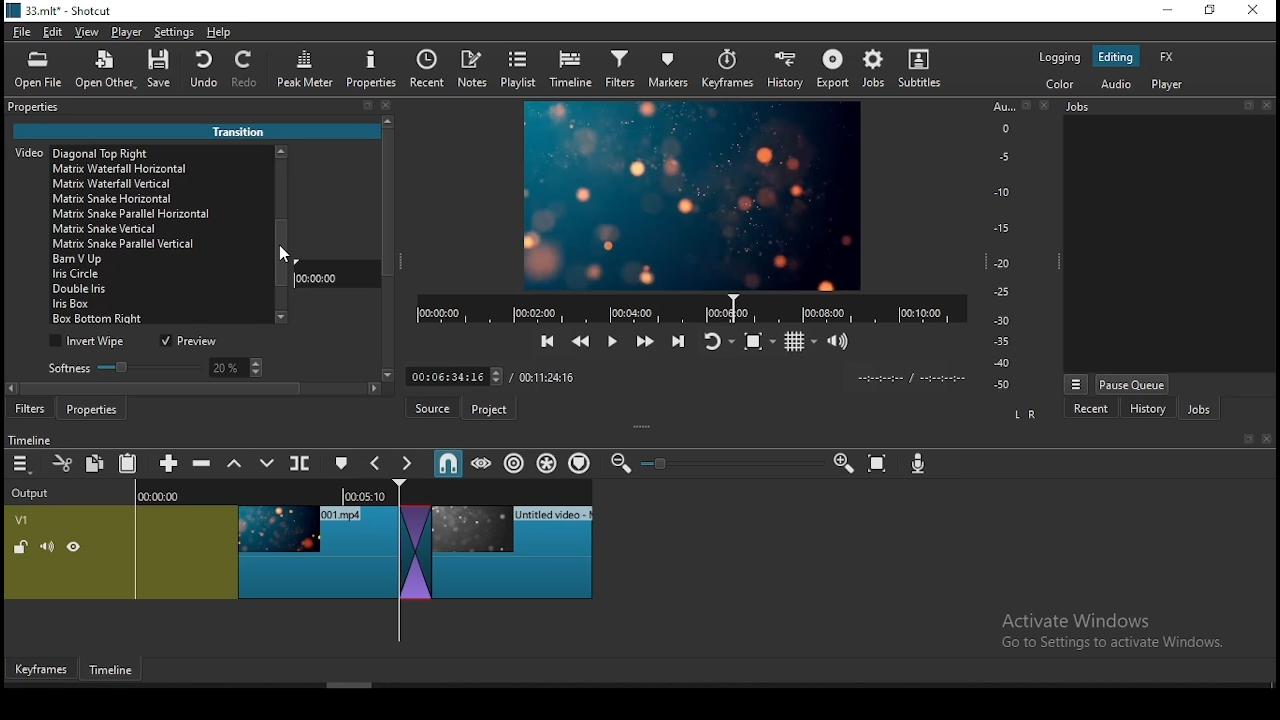 Image resolution: width=1280 pixels, height=720 pixels. What do you see at coordinates (1116, 58) in the screenshot?
I see `editing` at bounding box center [1116, 58].